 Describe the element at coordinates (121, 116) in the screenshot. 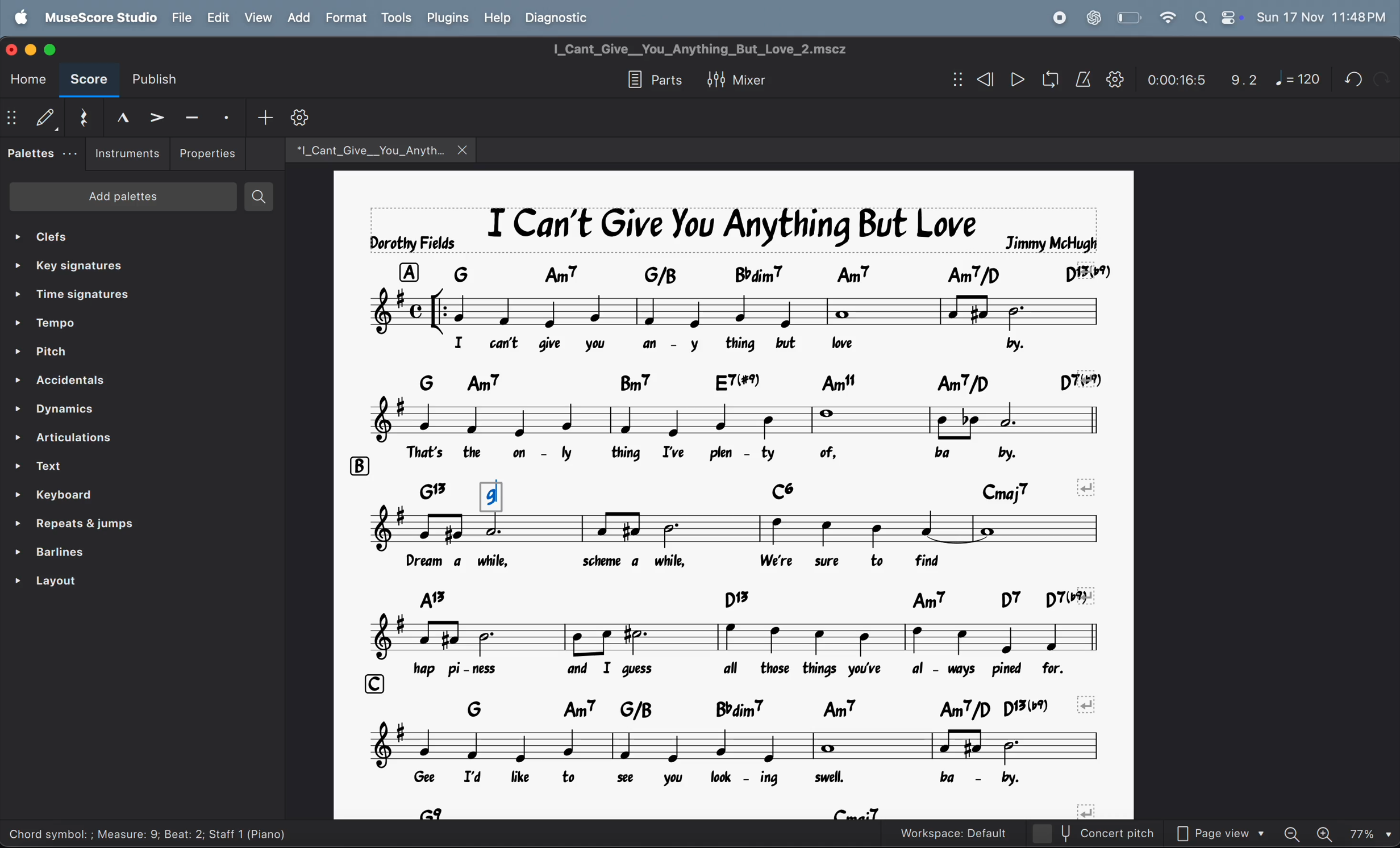

I see `marcato` at that location.